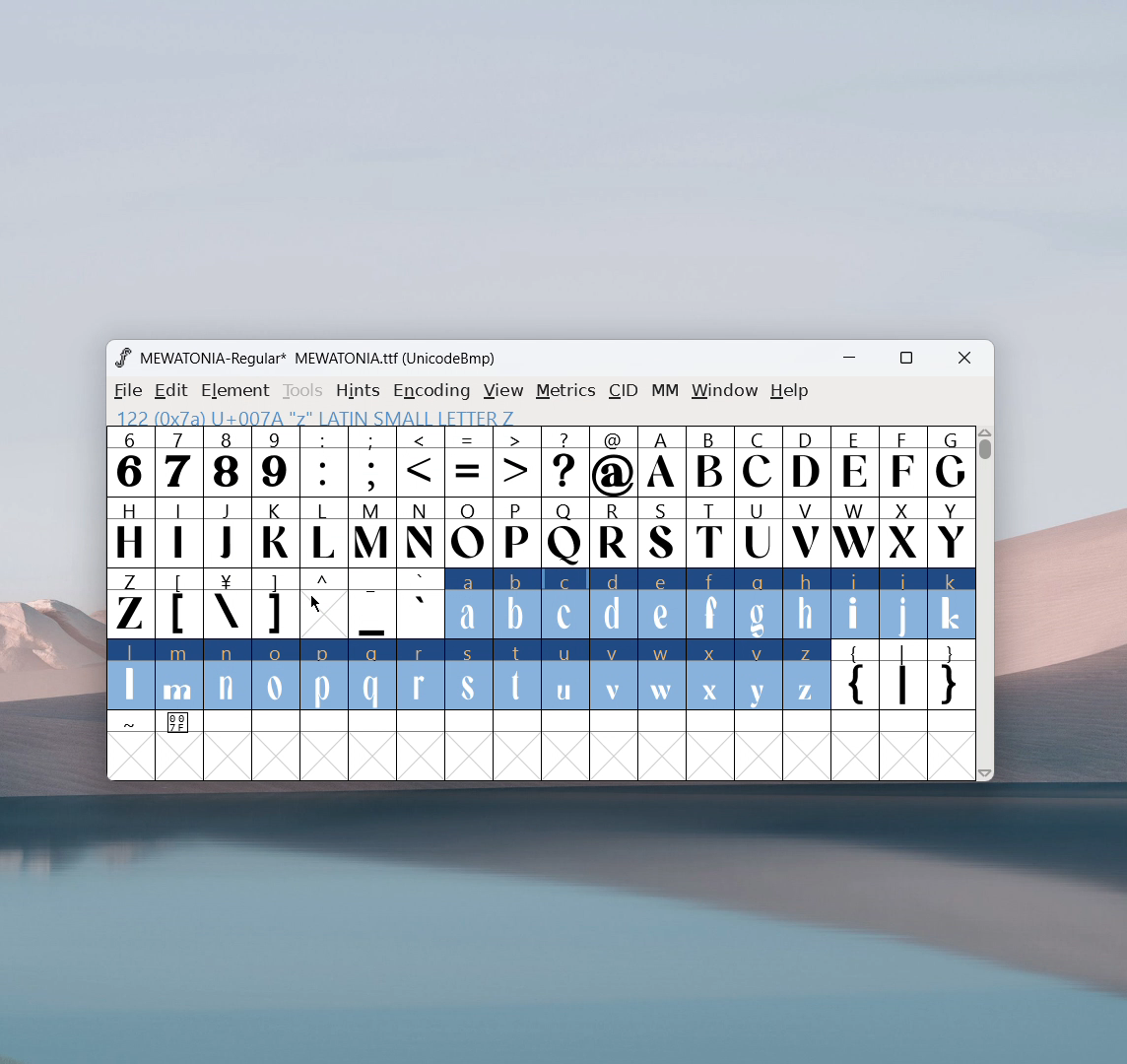  What do you see at coordinates (613, 604) in the screenshot?
I see `d` at bounding box center [613, 604].